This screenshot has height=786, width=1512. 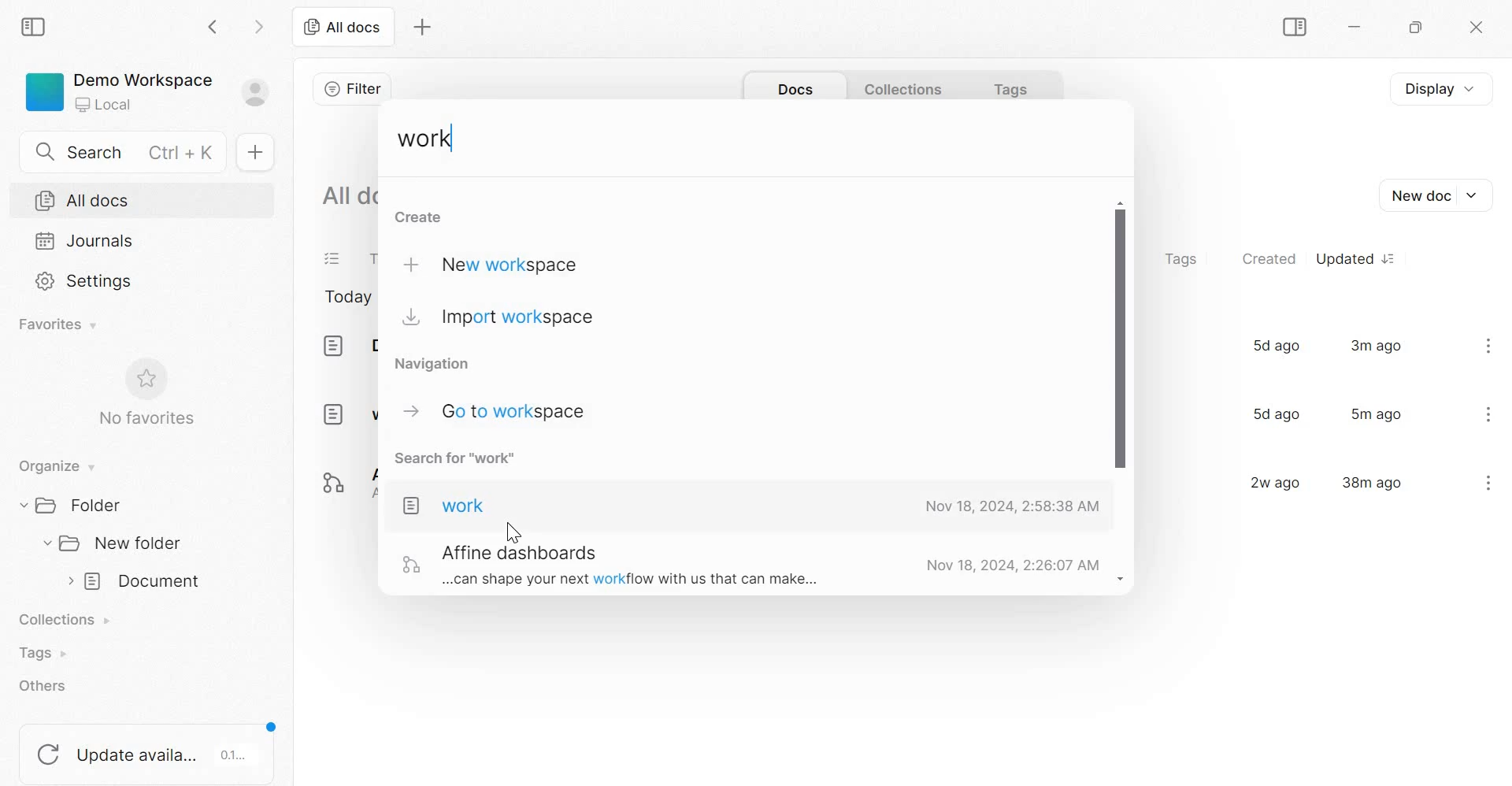 What do you see at coordinates (1433, 195) in the screenshot?
I see `New doc` at bounding box center [1433, 195].